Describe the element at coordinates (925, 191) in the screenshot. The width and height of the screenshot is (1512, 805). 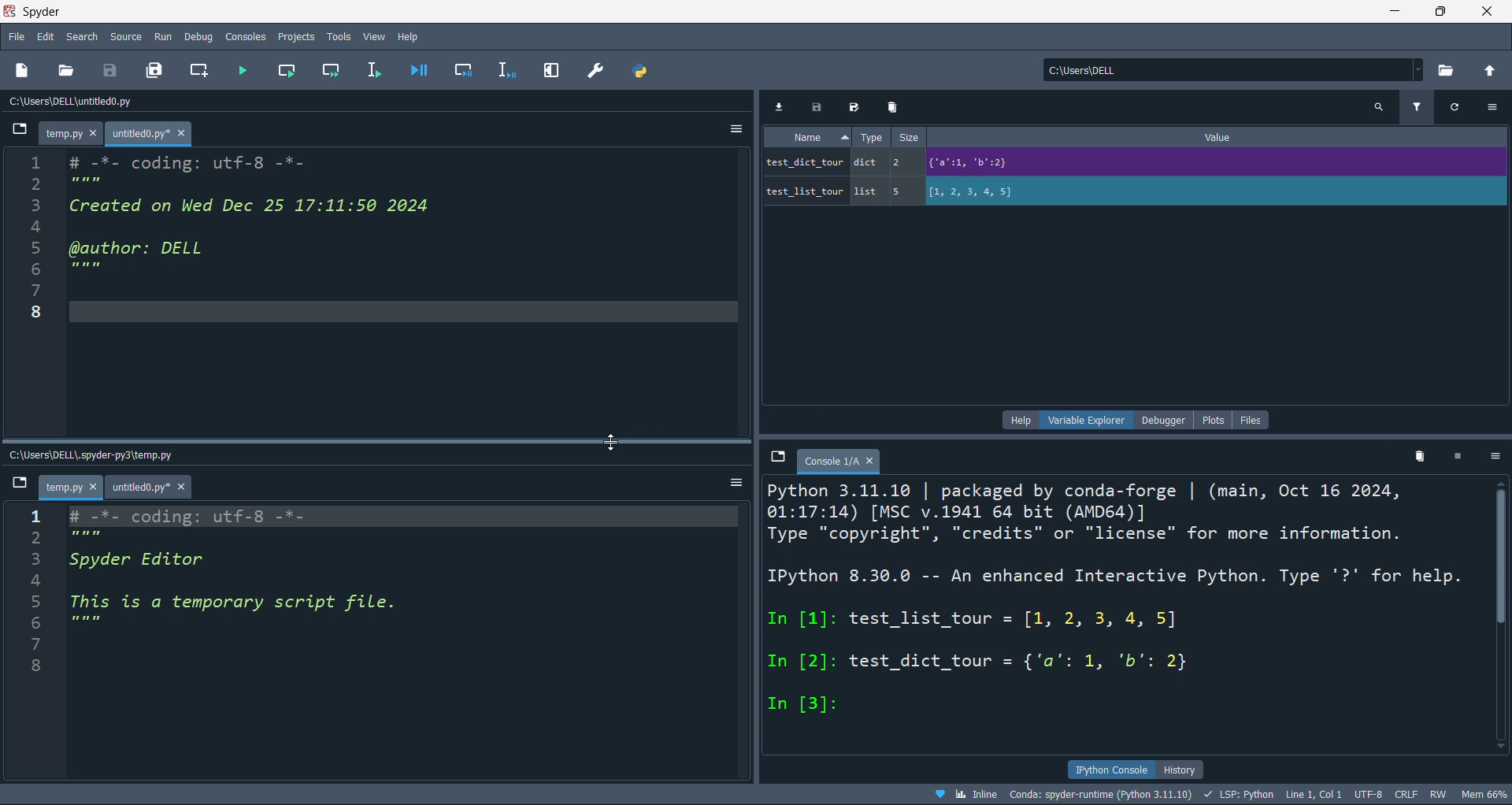
I see `test list tour list 5 |[1,2,3, 4, 5)` at that location.